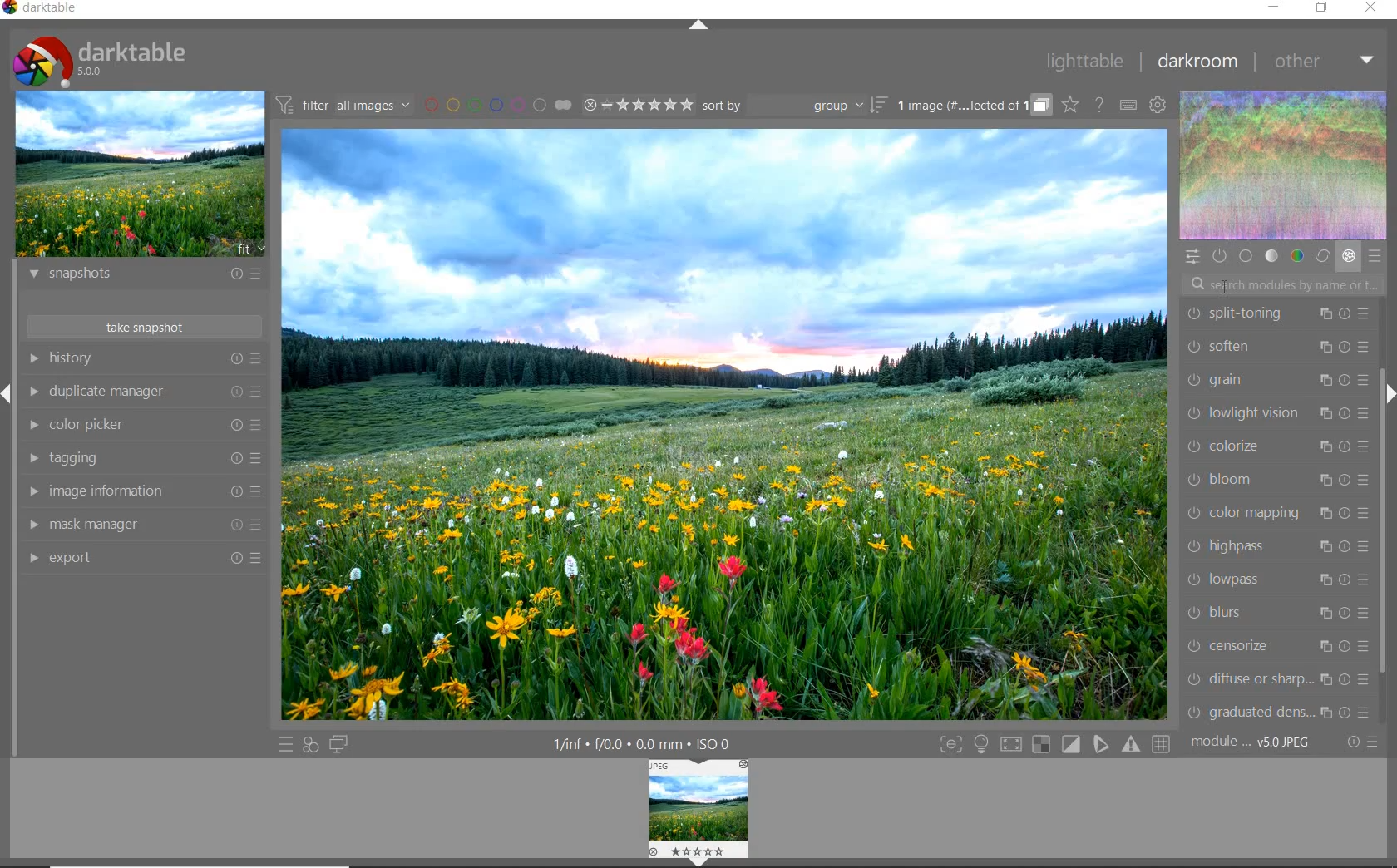  What do you see at coordinates (1276, 382) in the screenshot?
I see `grain` at bounding box center [1276, 382].